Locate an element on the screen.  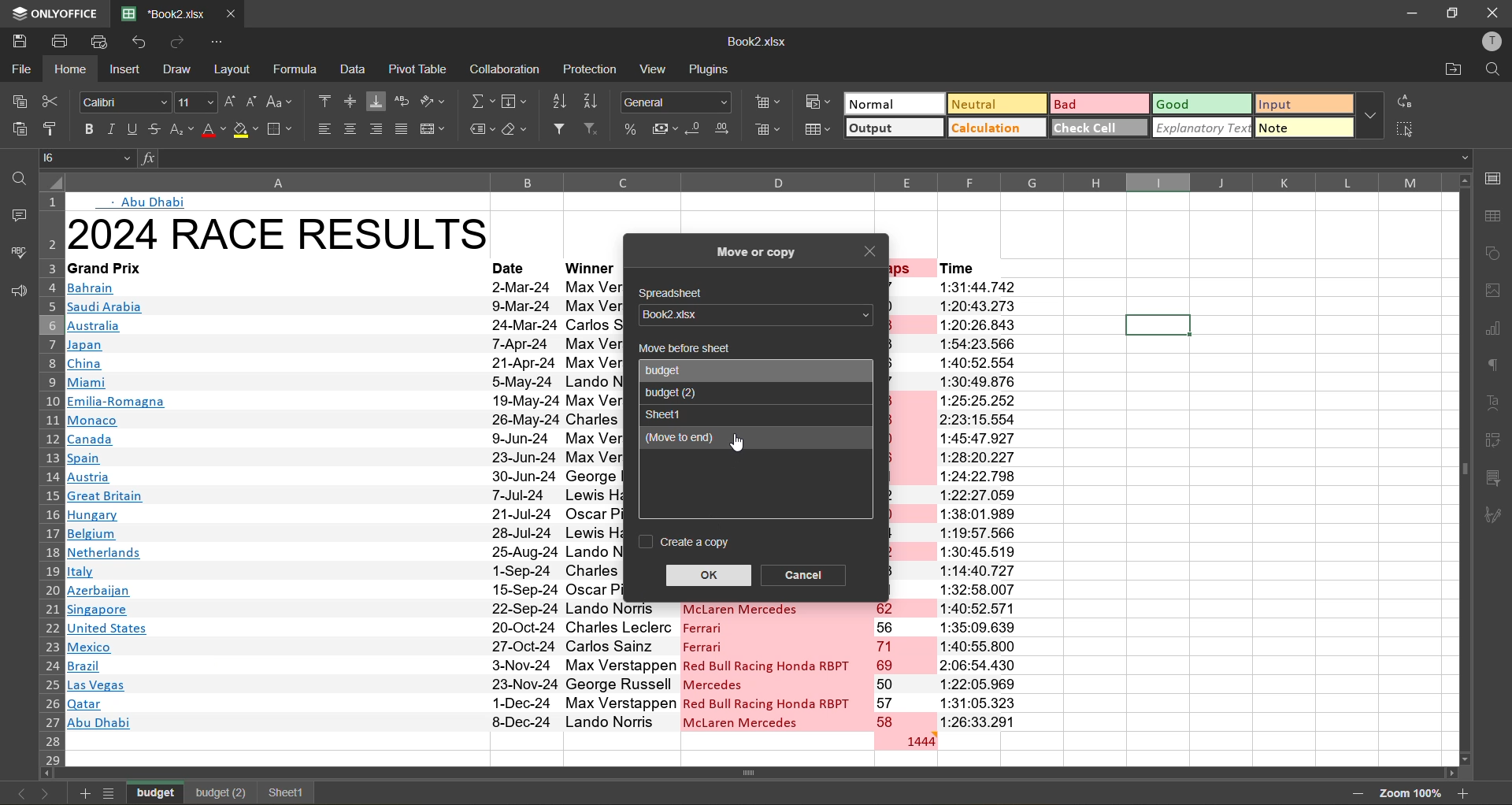
calculation is located at coordinates (998, 128).